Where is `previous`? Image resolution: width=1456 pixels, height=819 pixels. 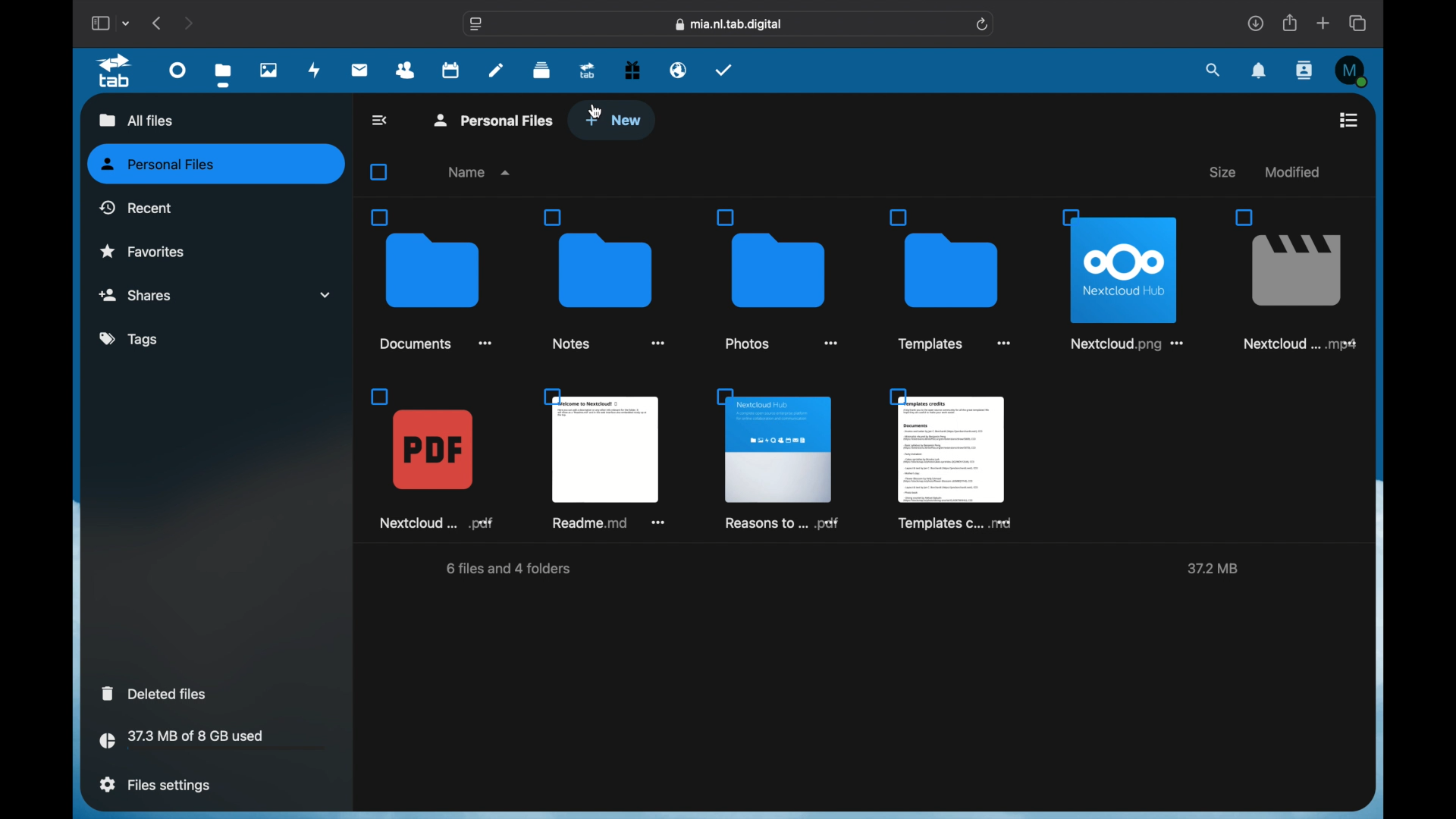
previous is located at coordinates (158, 23).